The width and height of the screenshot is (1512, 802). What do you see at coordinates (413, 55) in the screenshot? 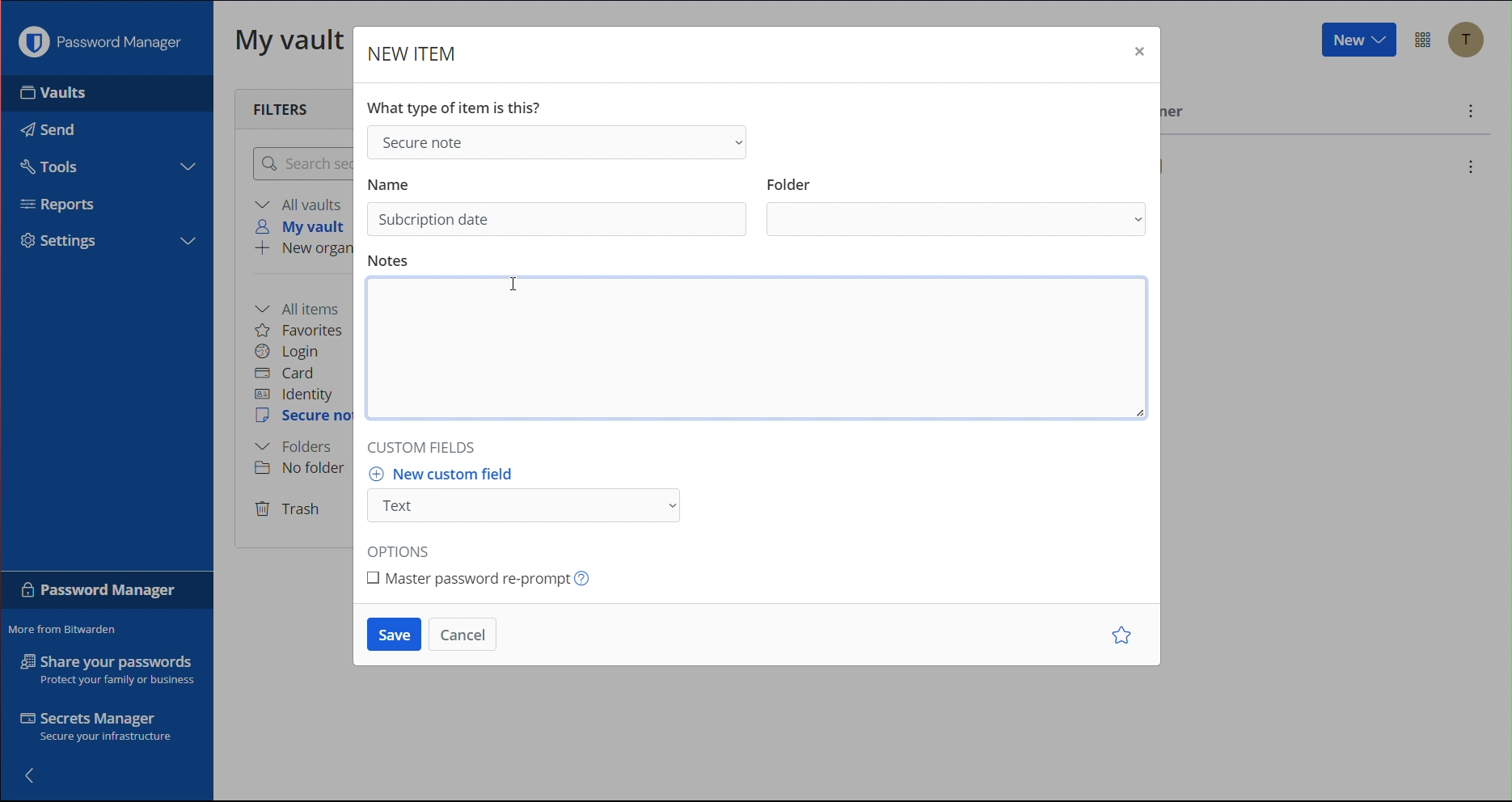
I see `New Item` at bounding box center [413, 55].